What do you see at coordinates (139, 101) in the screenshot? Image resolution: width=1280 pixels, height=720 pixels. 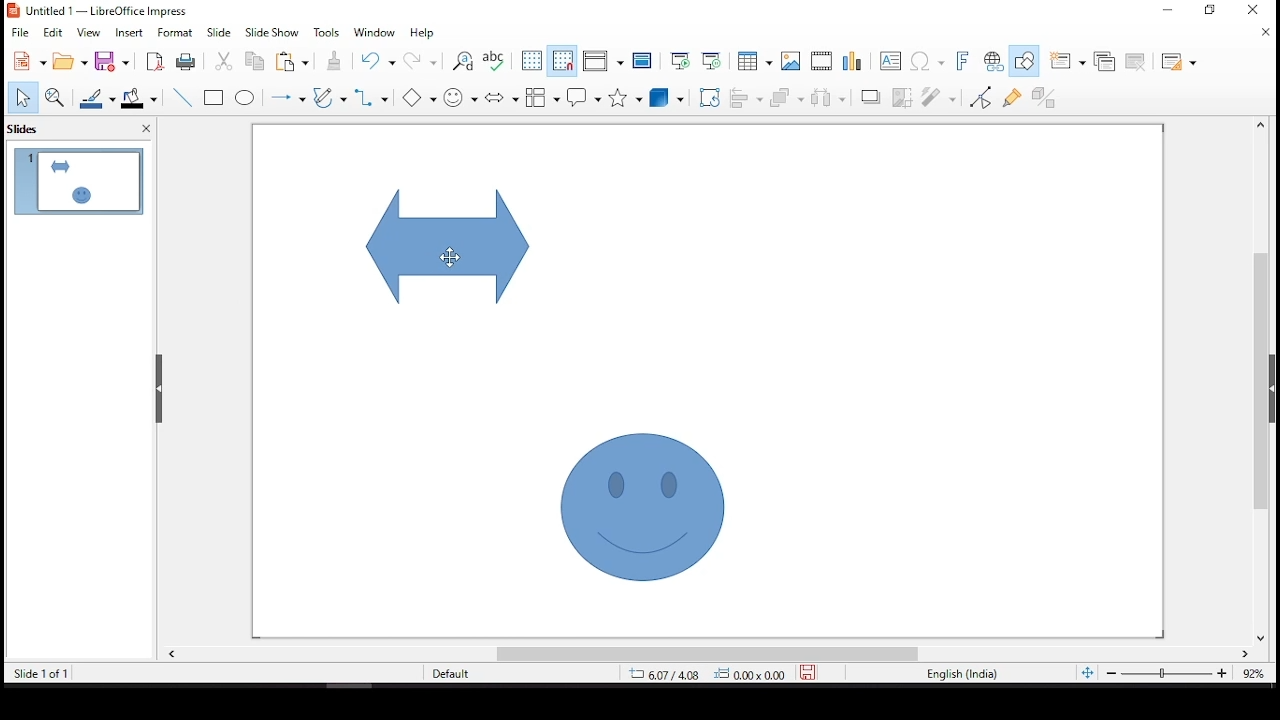 I see `fill color` at bounding box center [139, 101].